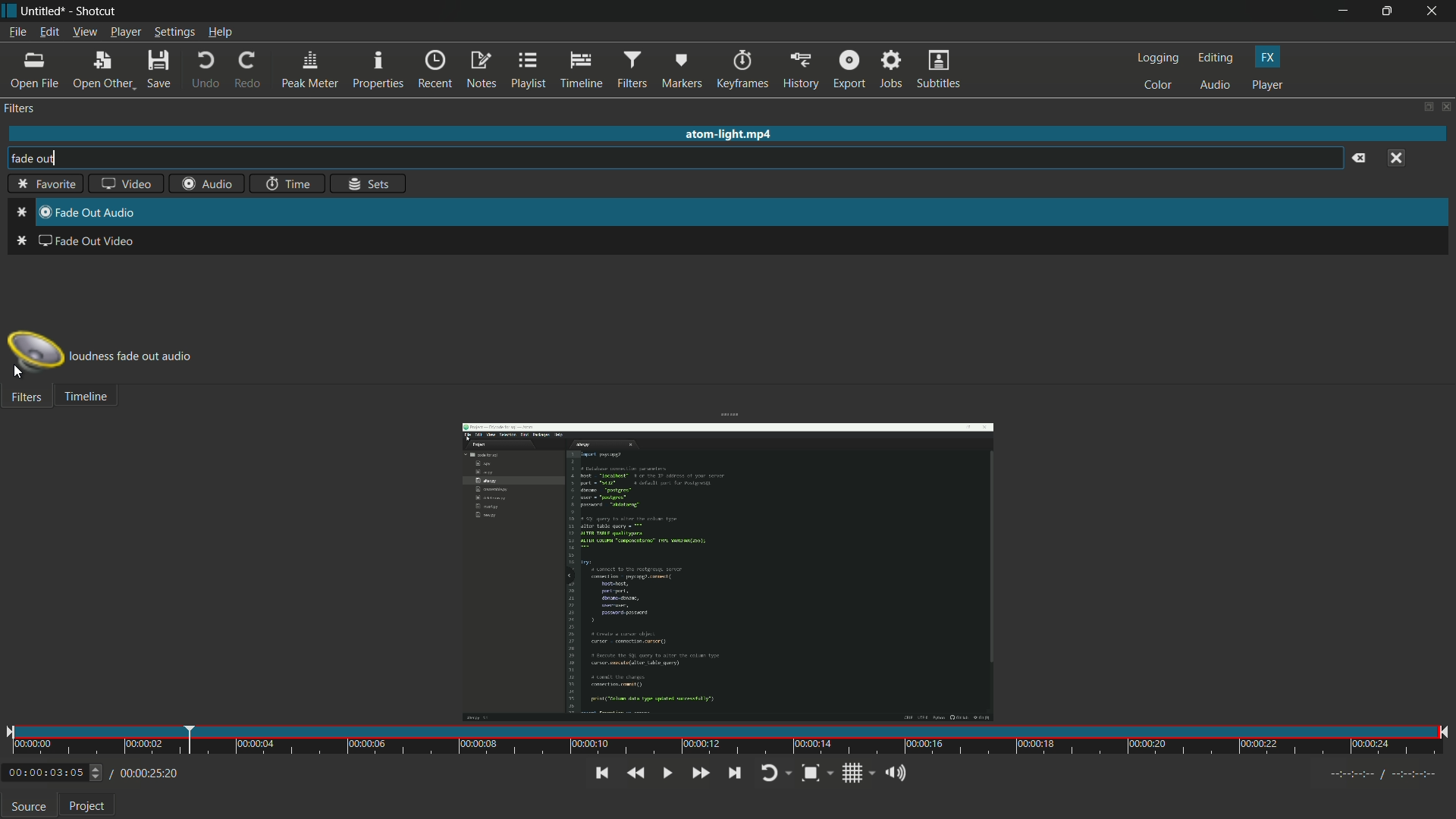  I want to click on fade out video, so click(74, 244).